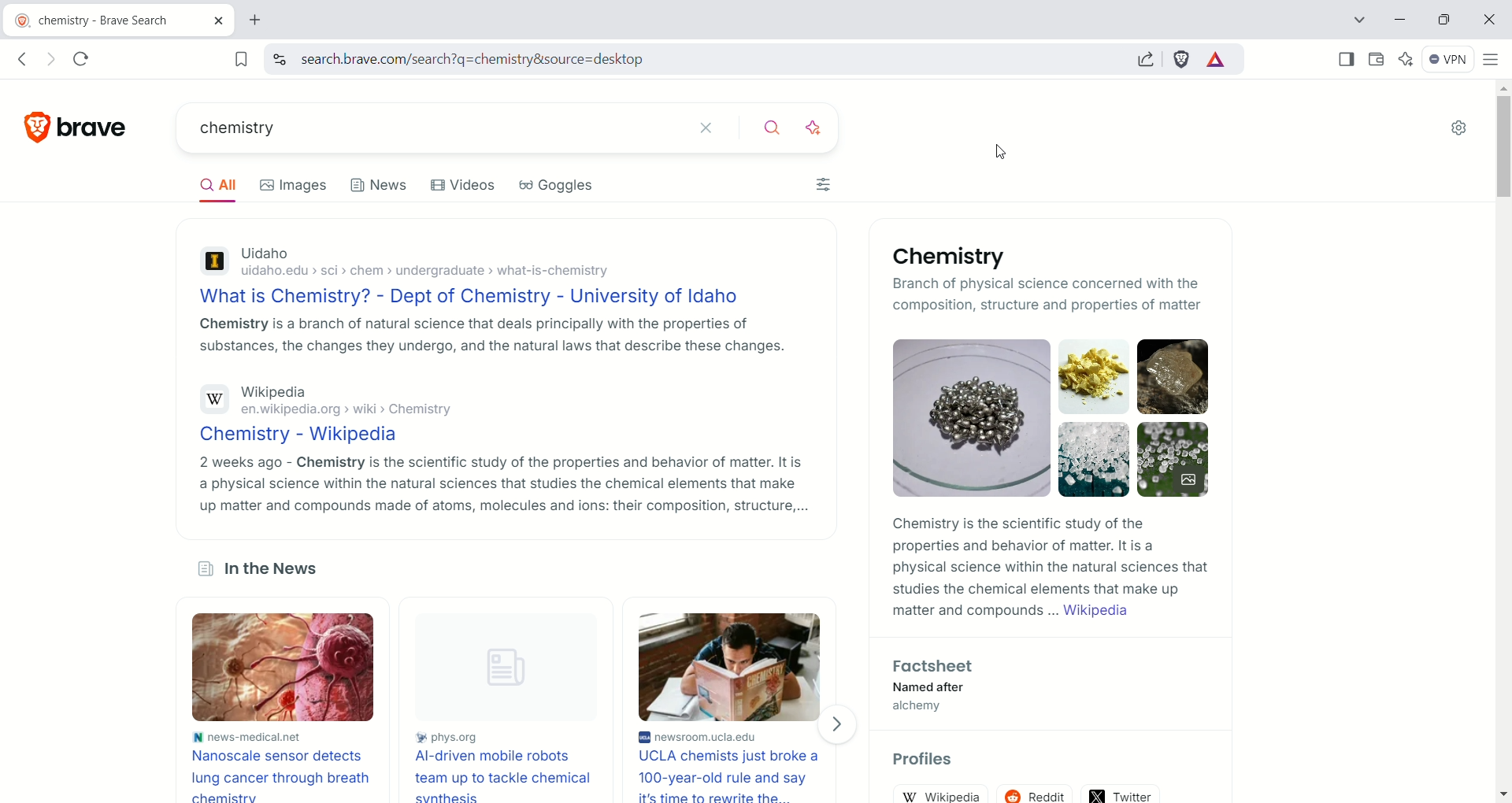 The height and width of the screenshot is (803, 1512). Describe the element at coordinates (284, 774) in the screenshot. I see `nanoscale sensor detects lung cancer through breath chemistry` at that location.